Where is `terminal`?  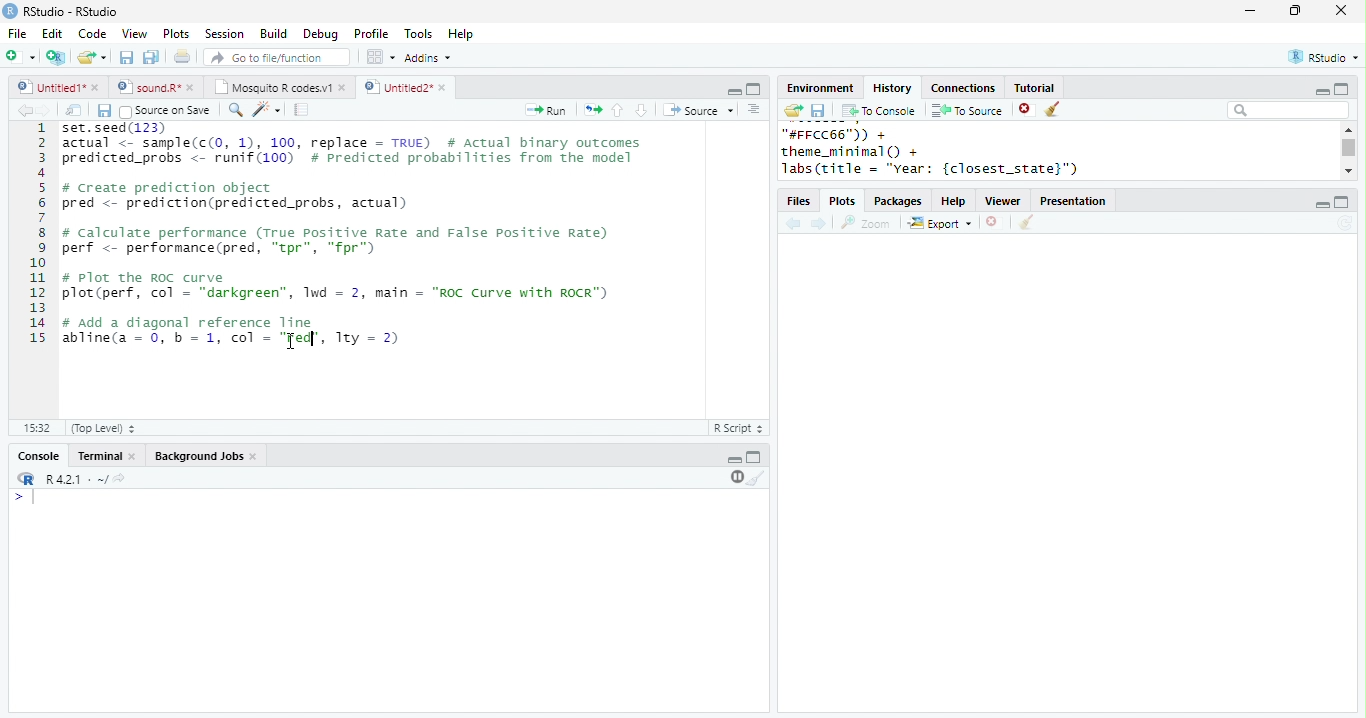 terminal is located at coordinates (97, 457).